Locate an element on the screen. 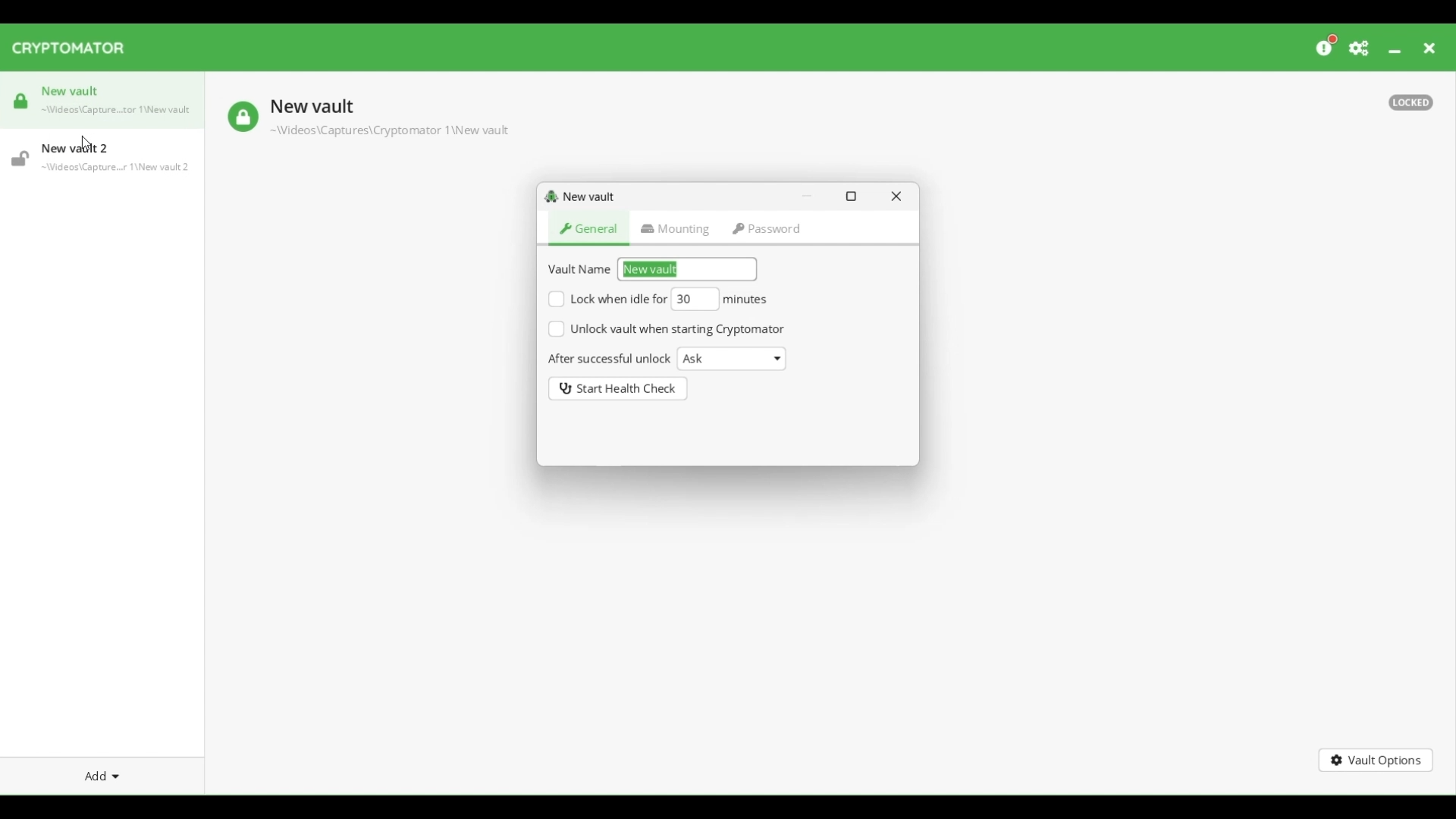 The image size is (1456, 819). After successful unlock is located at coordinates (610, 359).